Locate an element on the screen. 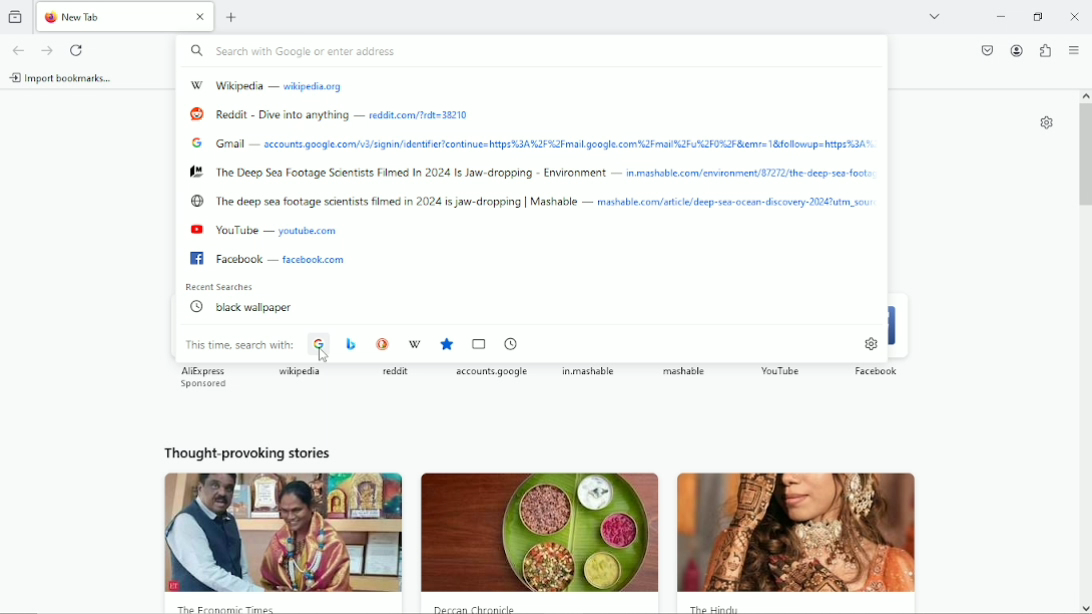  bing is located at coordinates (350, 344).